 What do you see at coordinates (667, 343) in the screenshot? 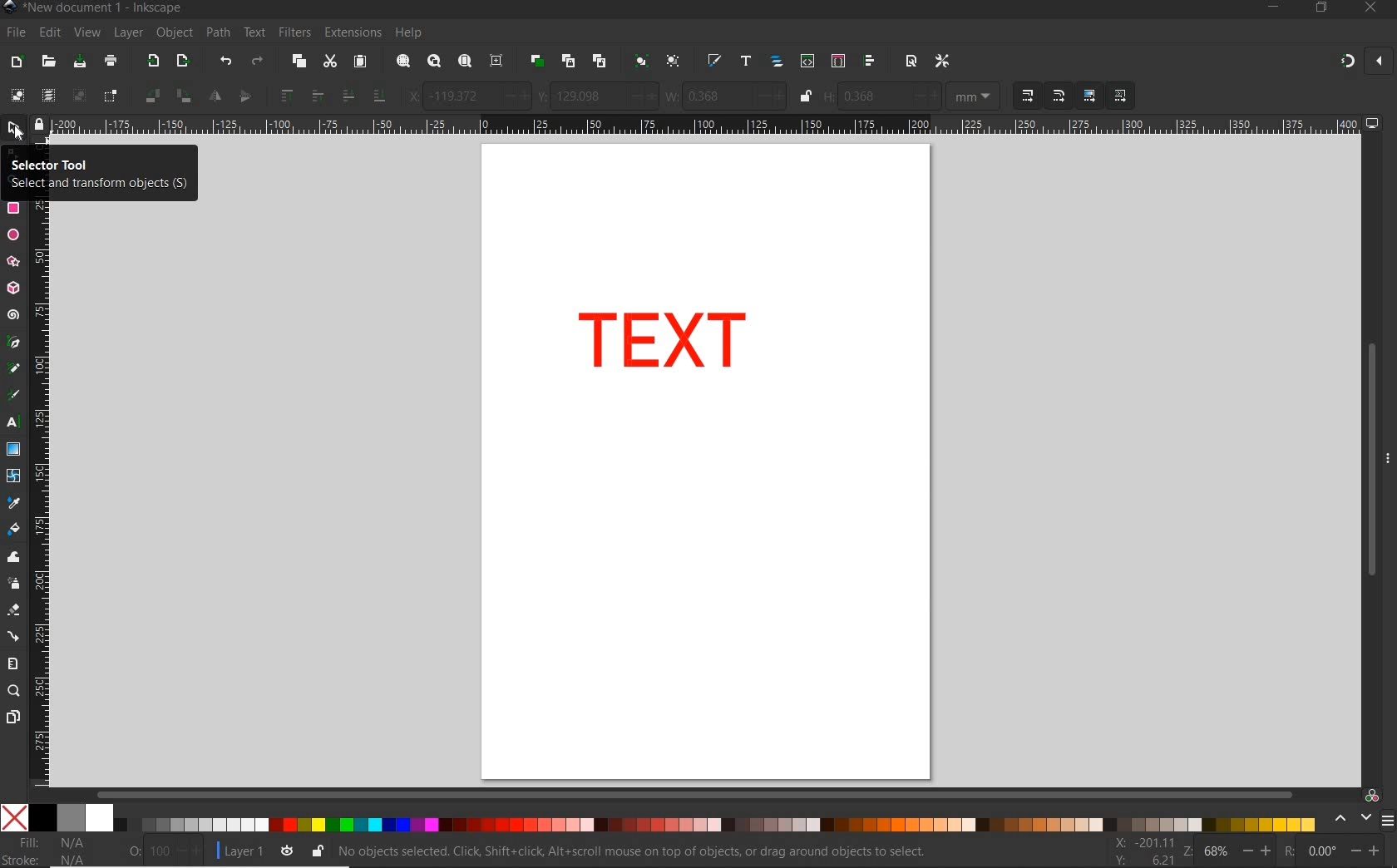
I see `TEXT` at bounding box center [667, 343].